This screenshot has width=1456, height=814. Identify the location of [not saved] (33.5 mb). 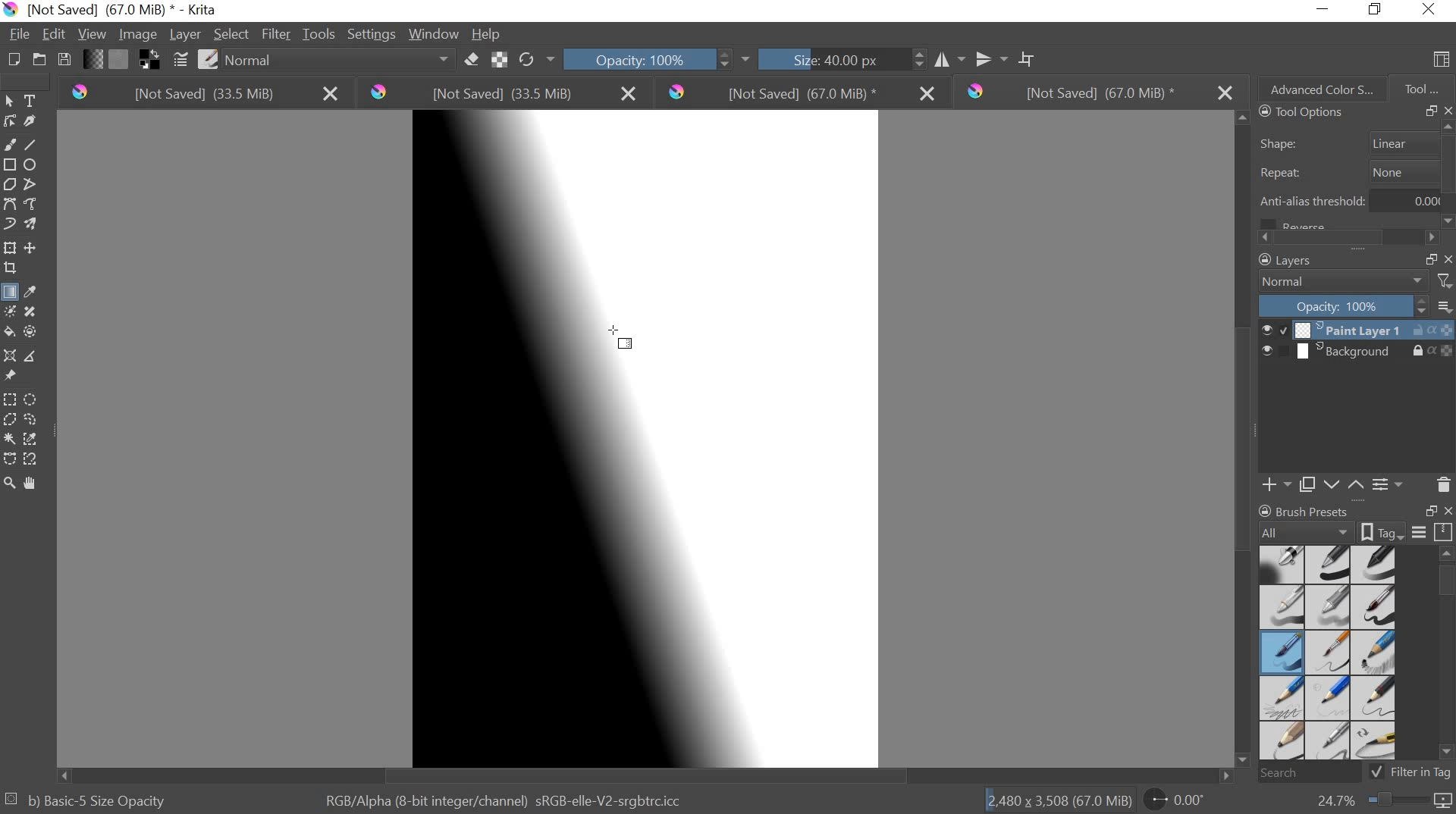
(504, 94).